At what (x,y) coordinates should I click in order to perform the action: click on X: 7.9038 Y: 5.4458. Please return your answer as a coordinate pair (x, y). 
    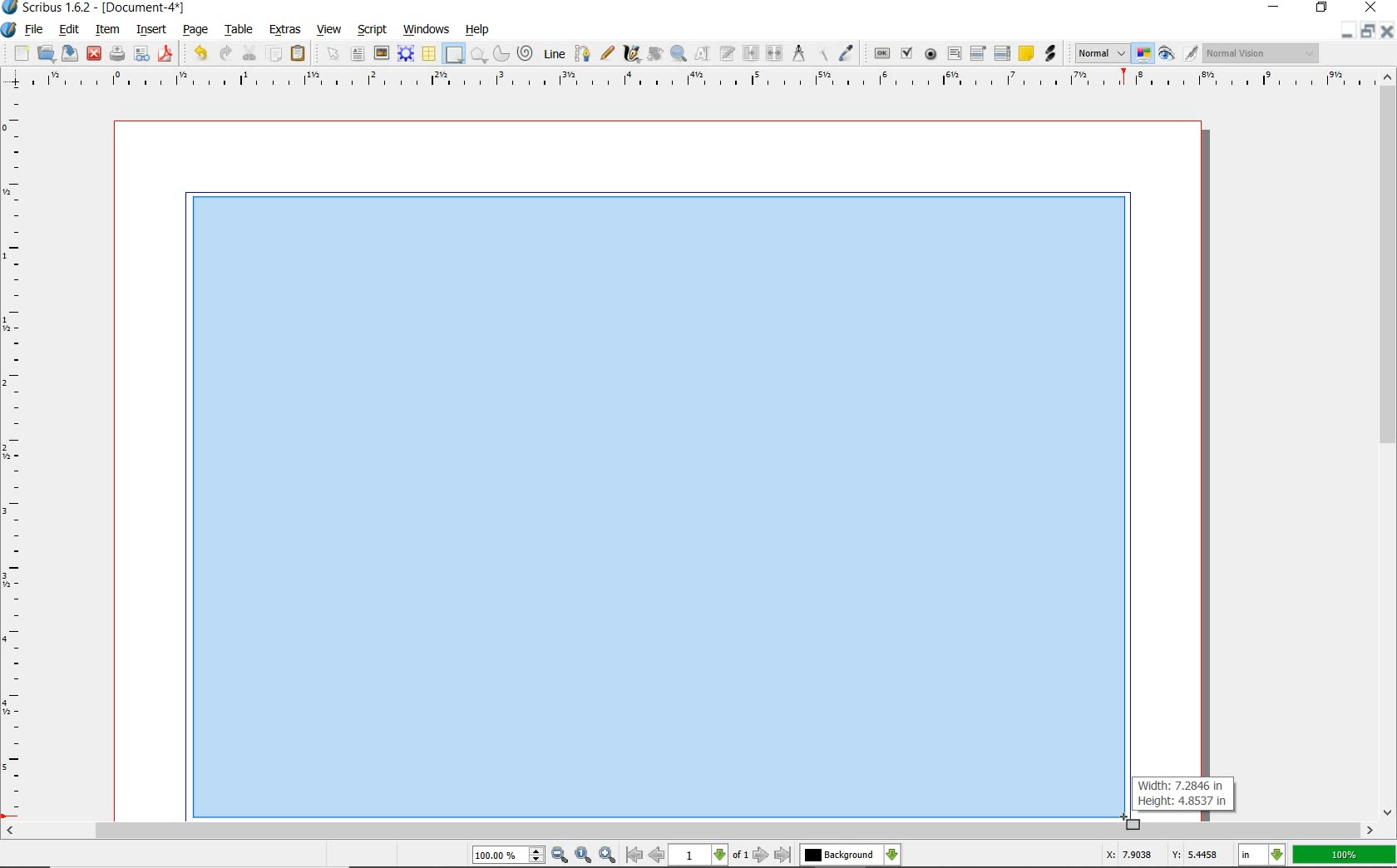
    Looking at the image, I should click on (1159, 855).